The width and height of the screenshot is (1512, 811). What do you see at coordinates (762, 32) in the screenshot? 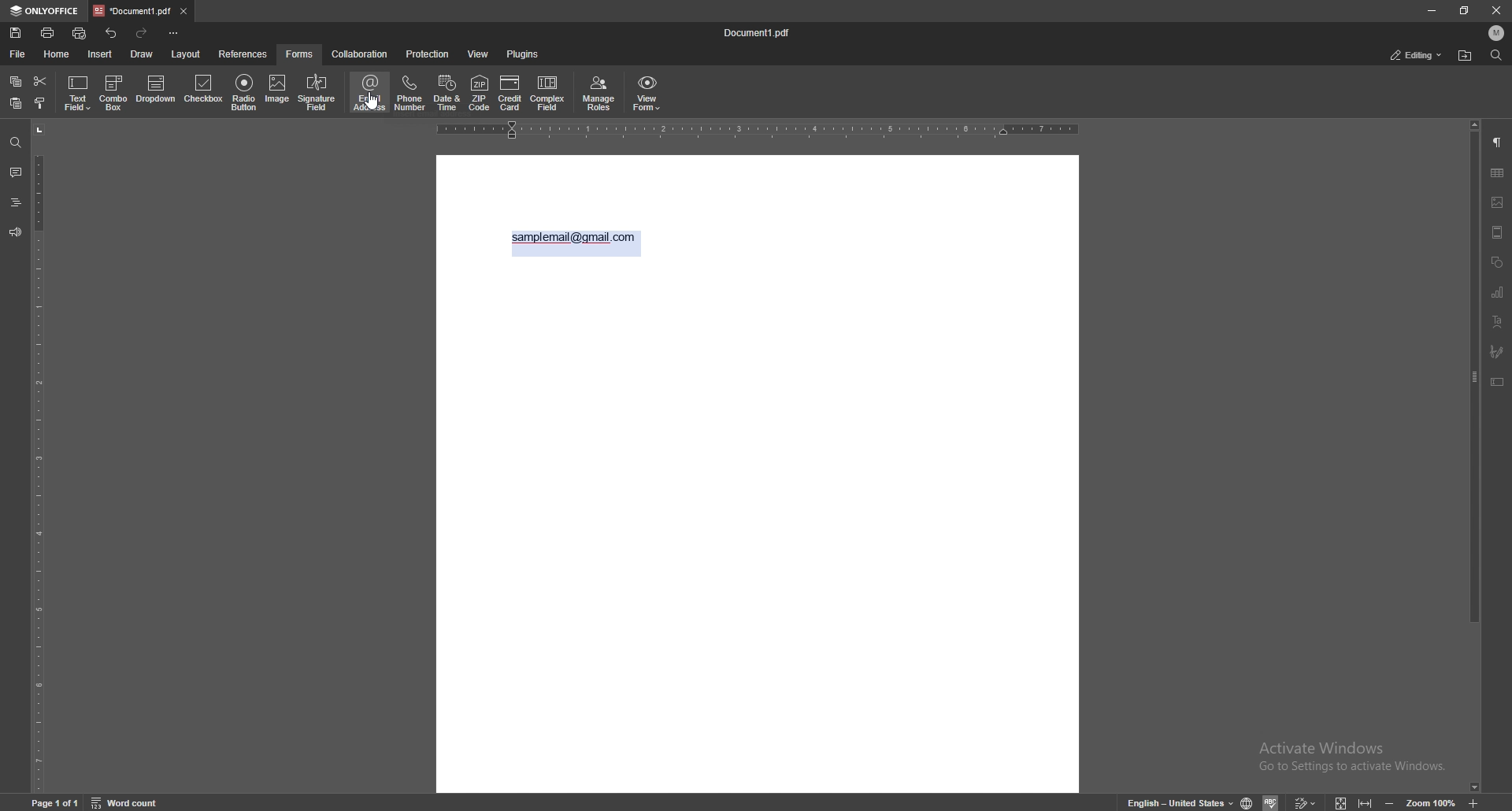
I see `file name` at bounding box center [762, 32].